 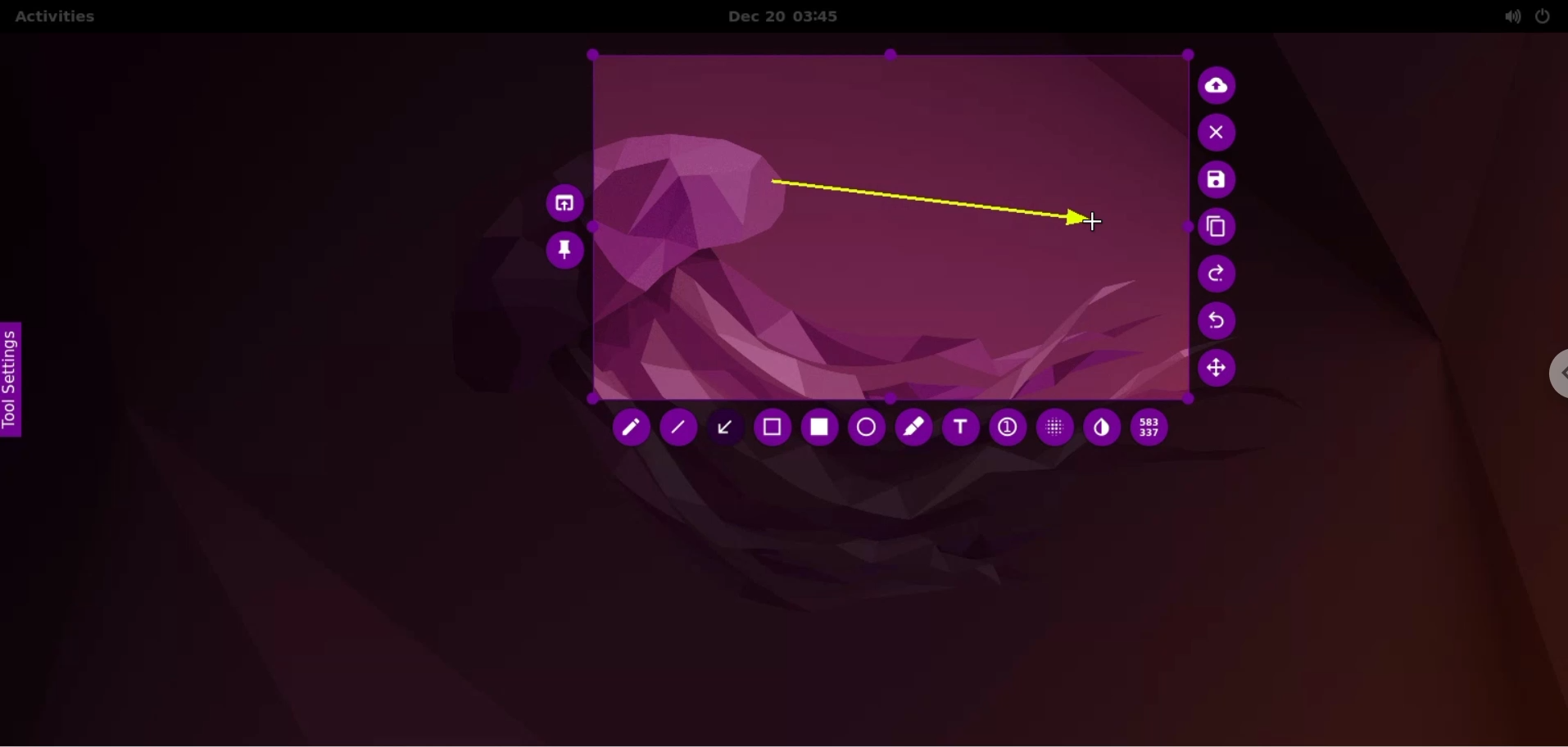 I want to click on copy to clipboard, so click(x=1220, y=229).